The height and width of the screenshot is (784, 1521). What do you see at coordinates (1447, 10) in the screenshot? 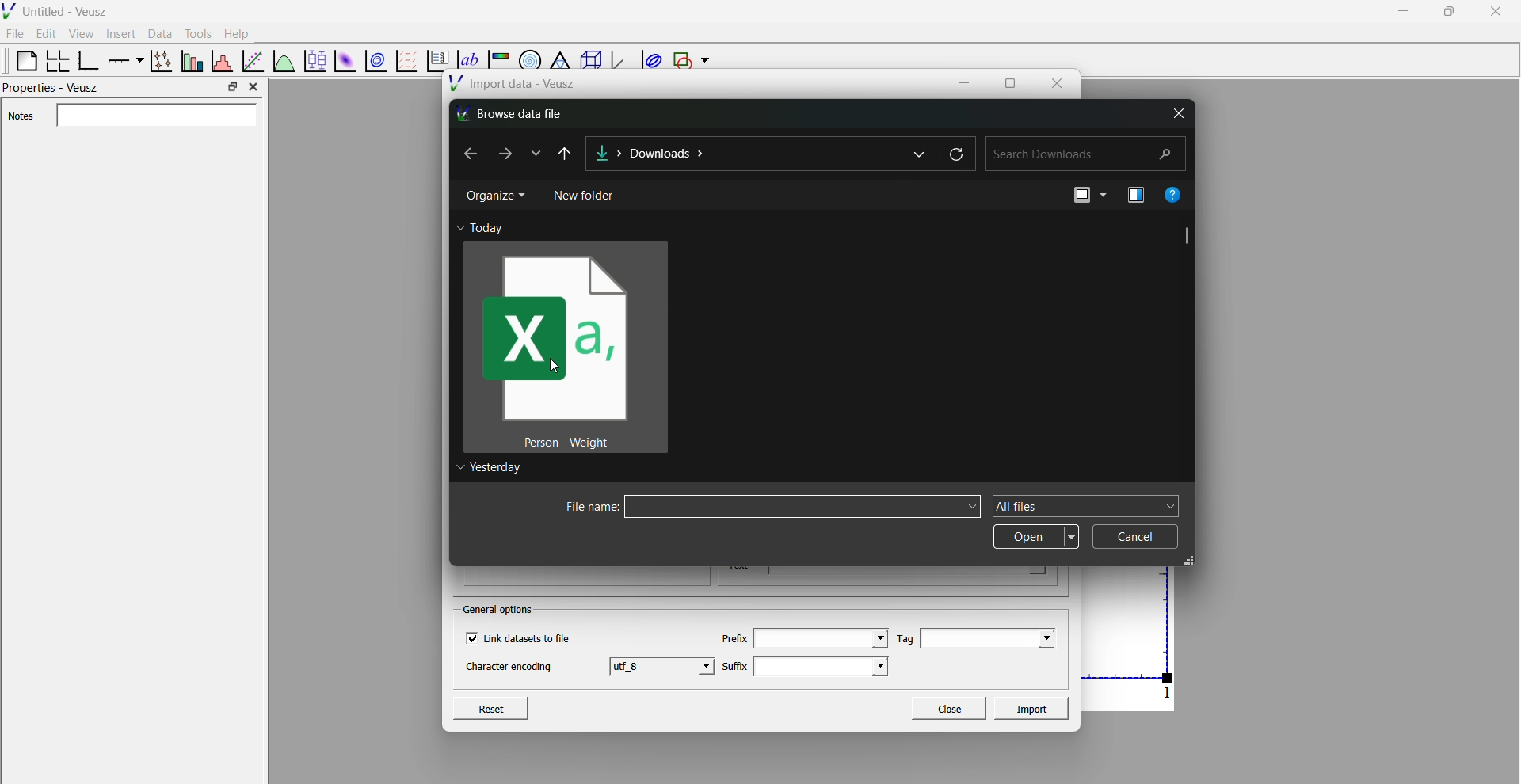
I see `maximize` at bounding box center [1447, 10].